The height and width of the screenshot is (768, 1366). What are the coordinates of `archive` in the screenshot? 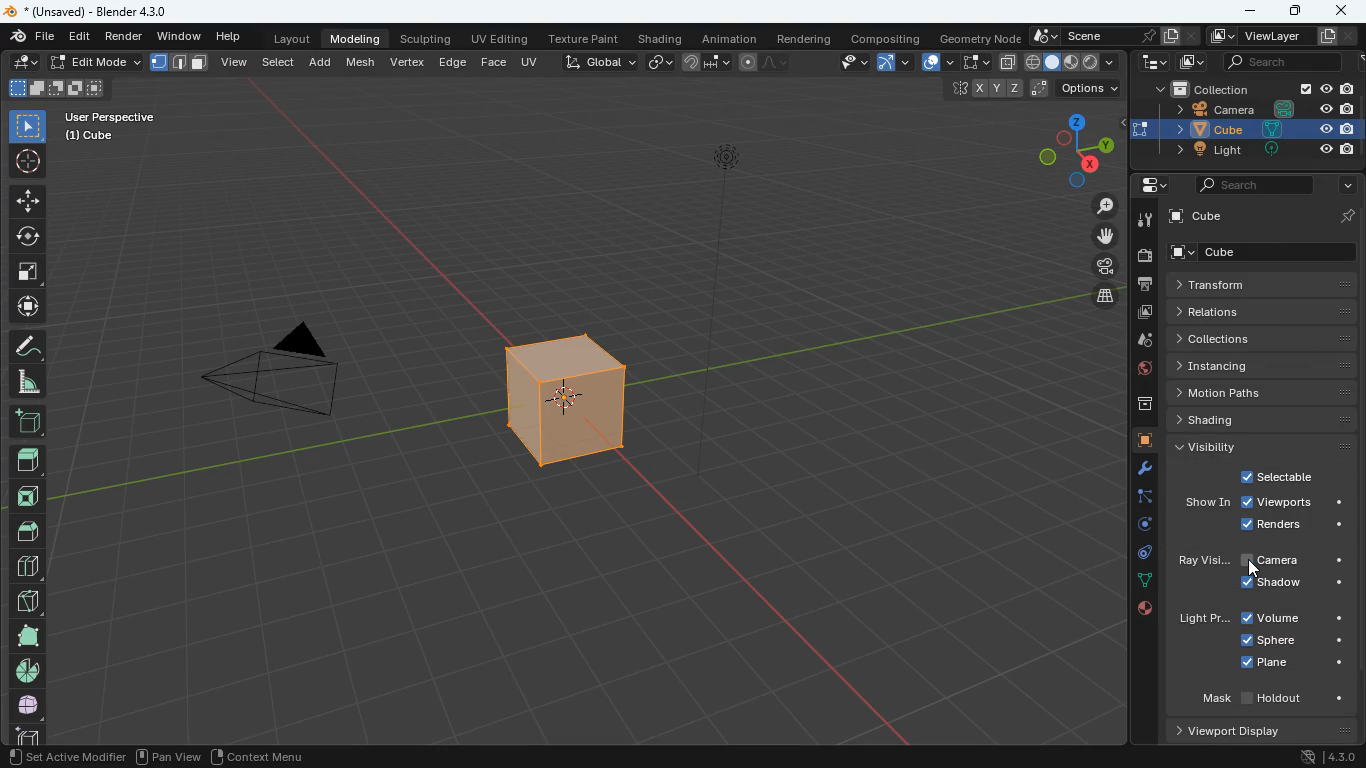 It's located at (1135, 404).